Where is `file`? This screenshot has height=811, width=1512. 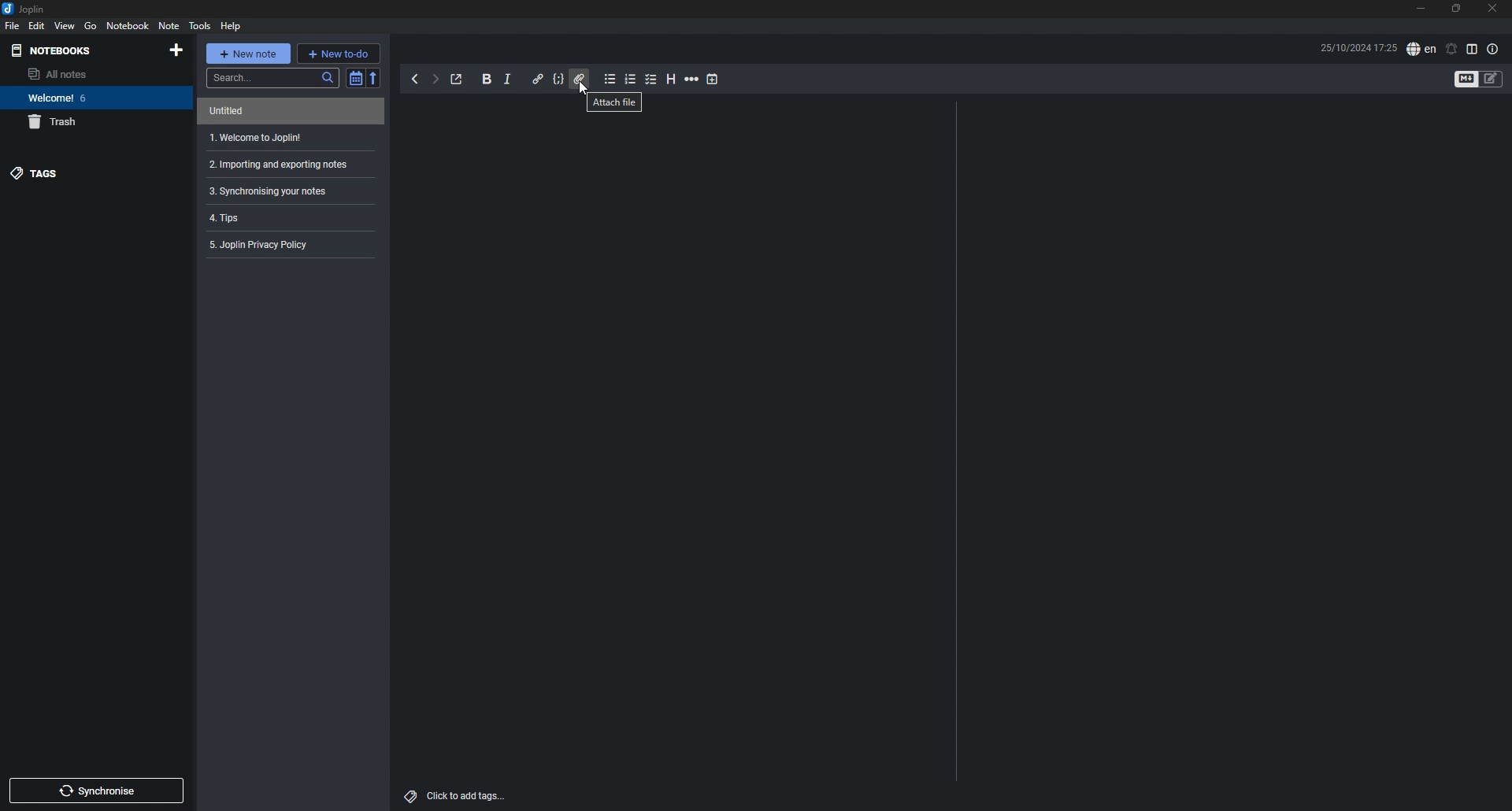
file is located at coordinates (12, 25).